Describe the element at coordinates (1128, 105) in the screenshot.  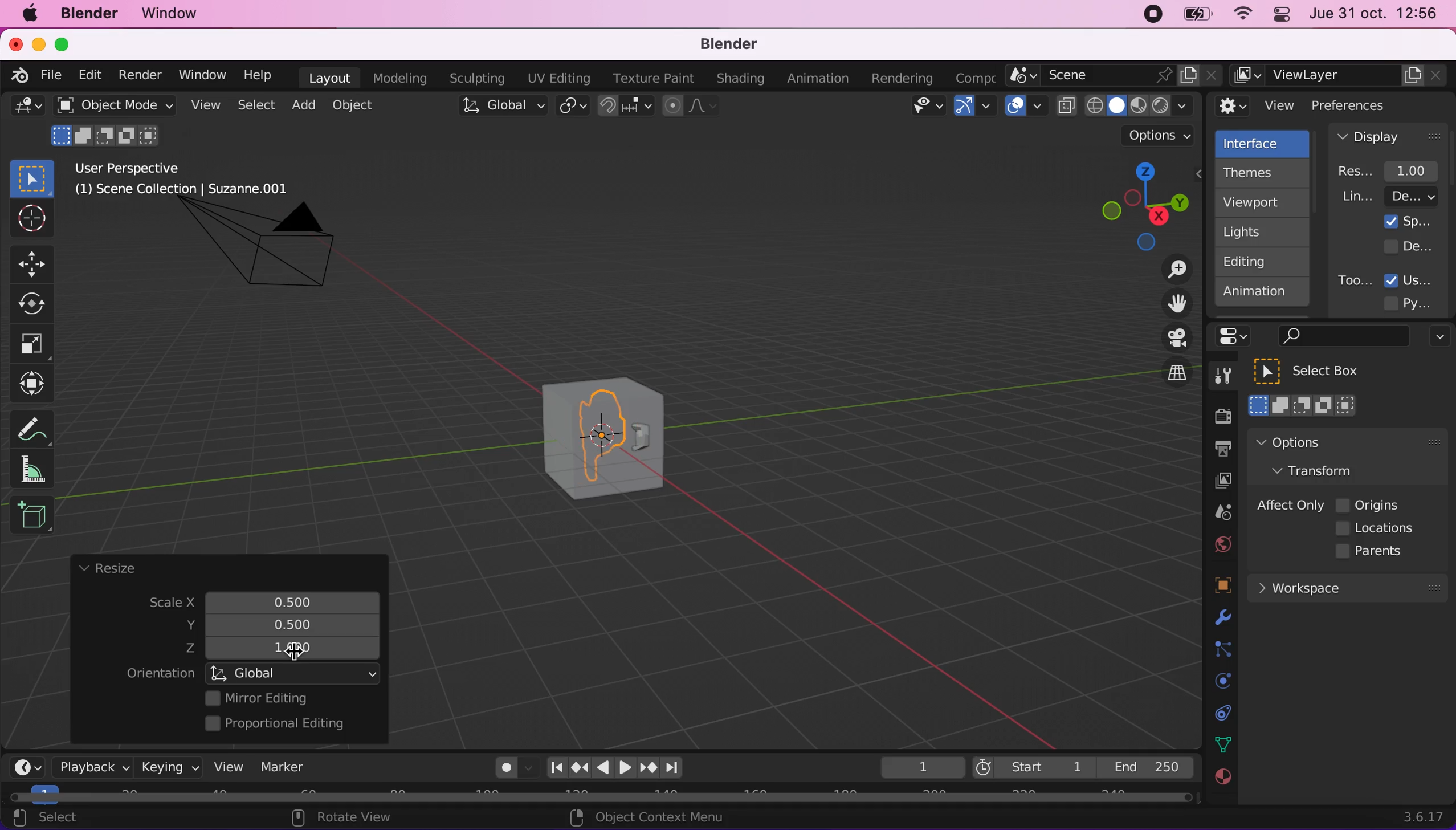
I see `viewport shading` at that location.